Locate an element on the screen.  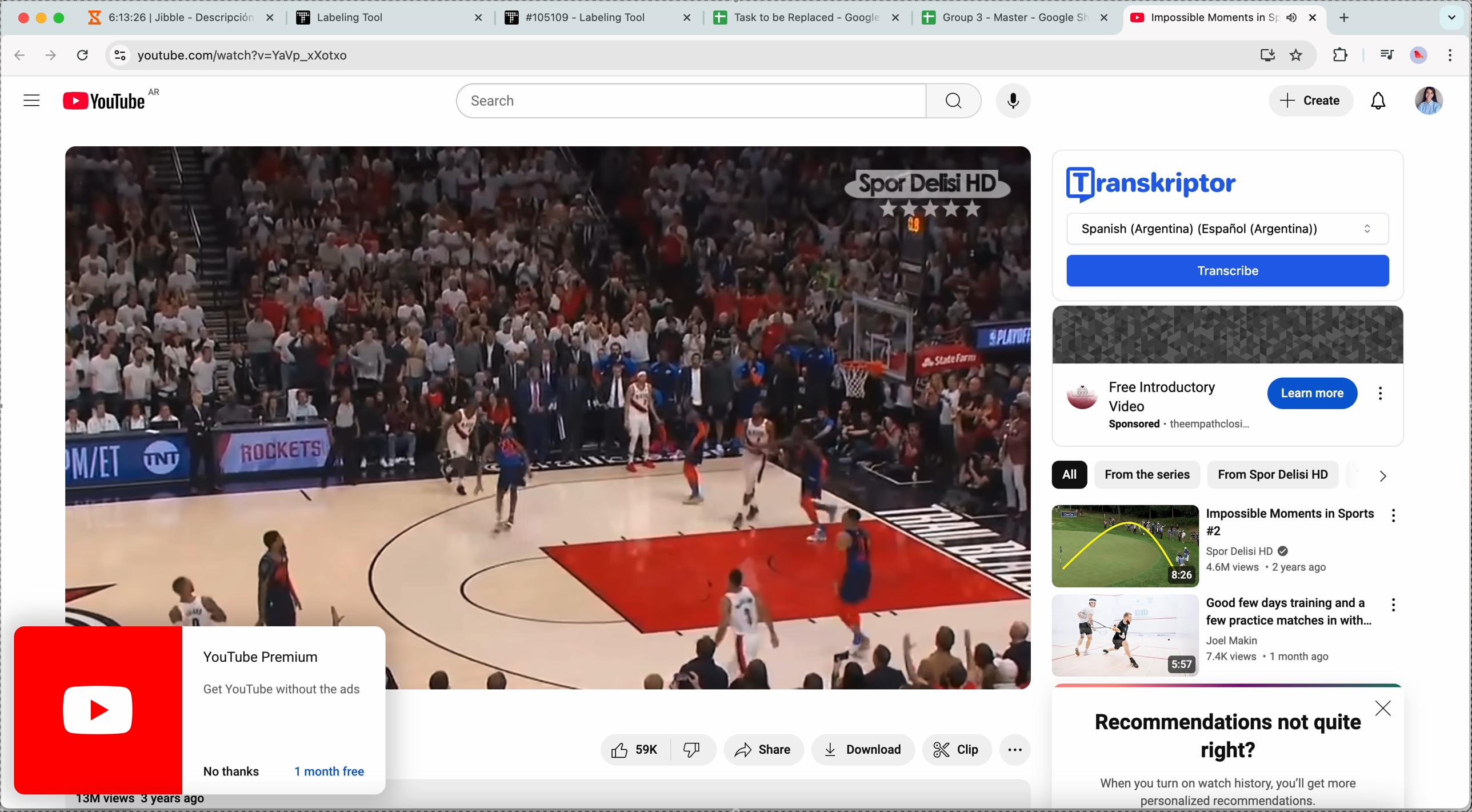
tab is located at coordinates (392, 18).